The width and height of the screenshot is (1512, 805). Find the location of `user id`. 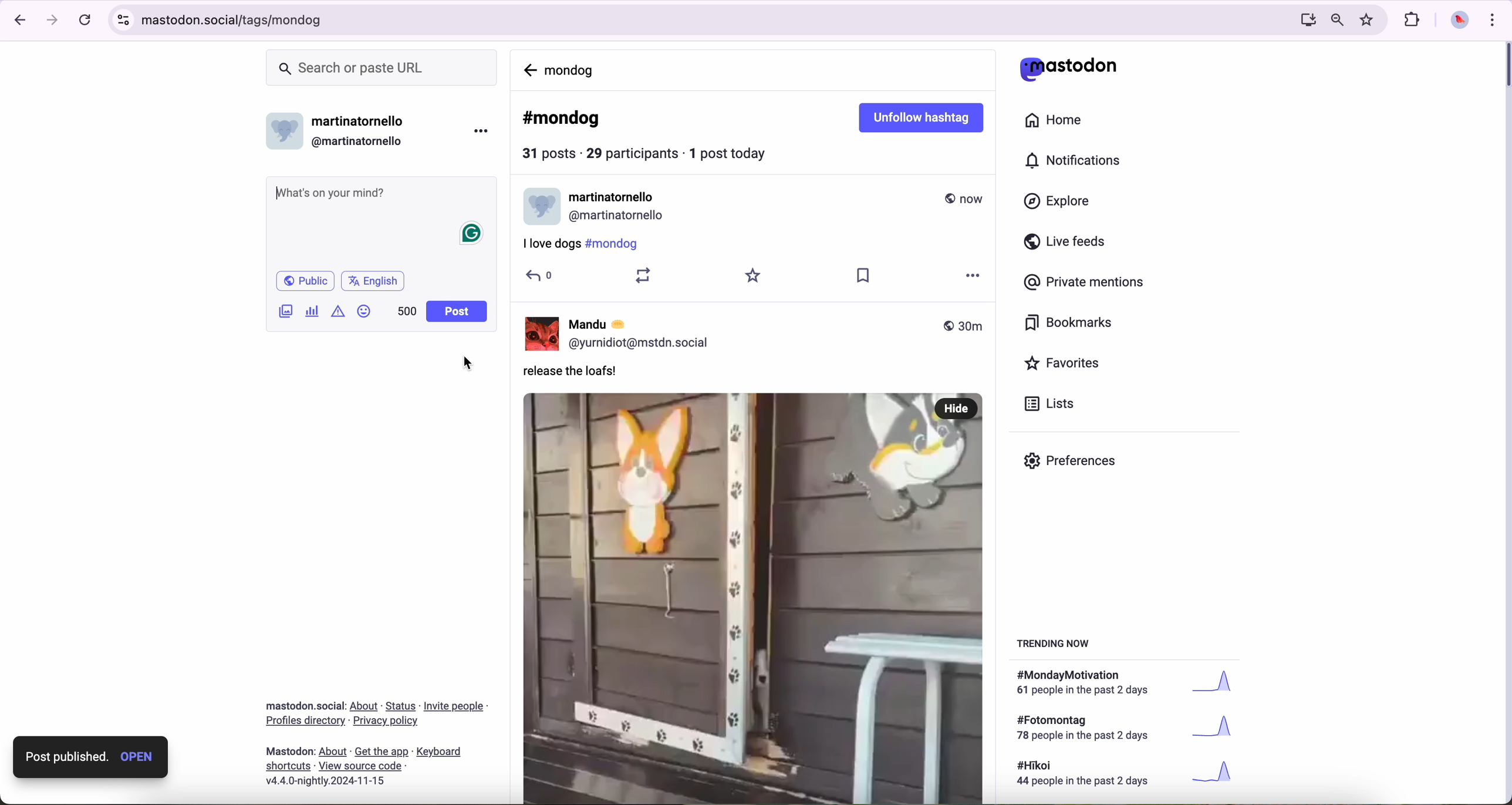

user id is located at coordinates (361, 142).